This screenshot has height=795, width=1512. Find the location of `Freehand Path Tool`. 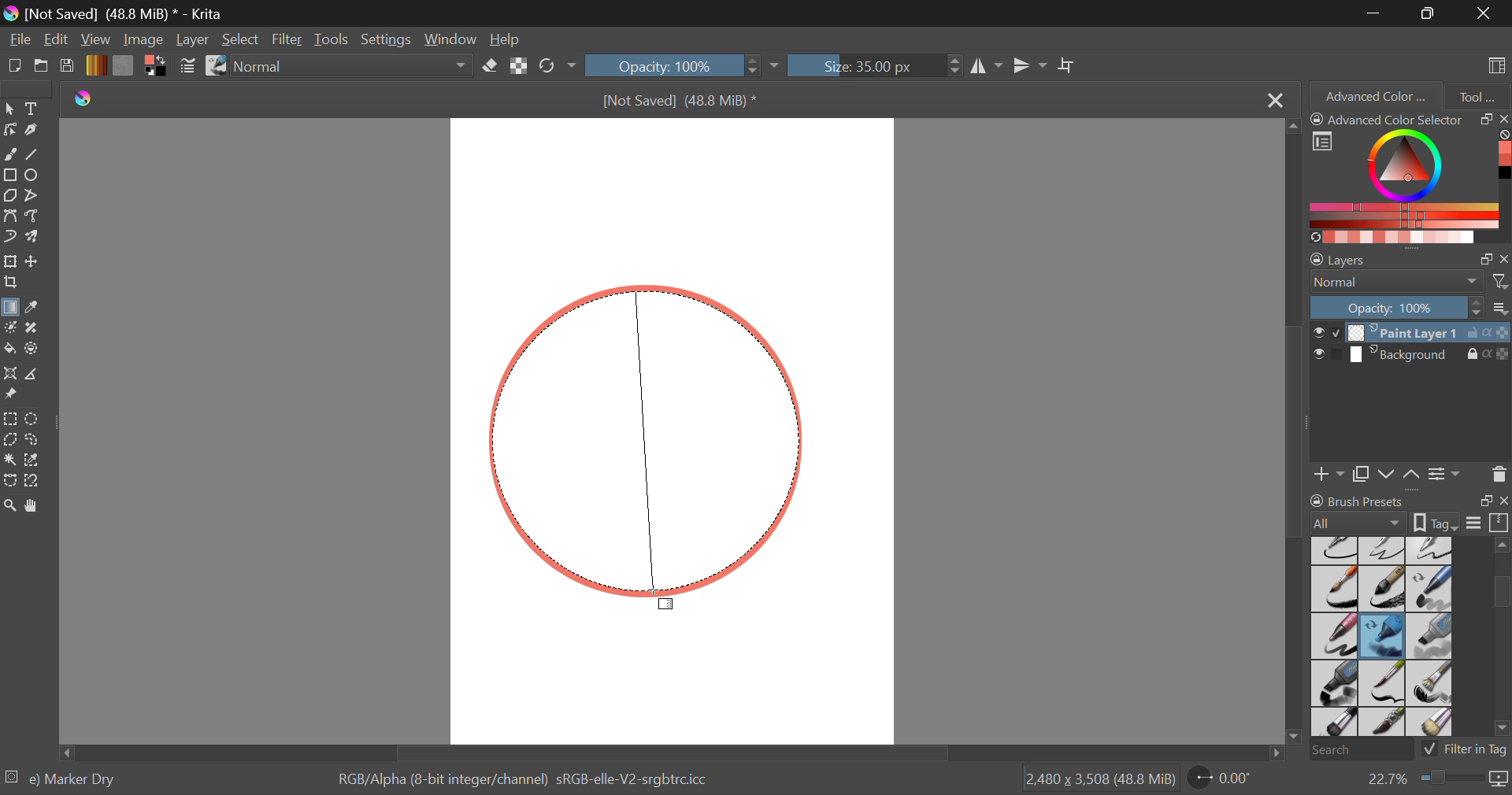

Freehand Path Tool is located at coordinates (32, 215).